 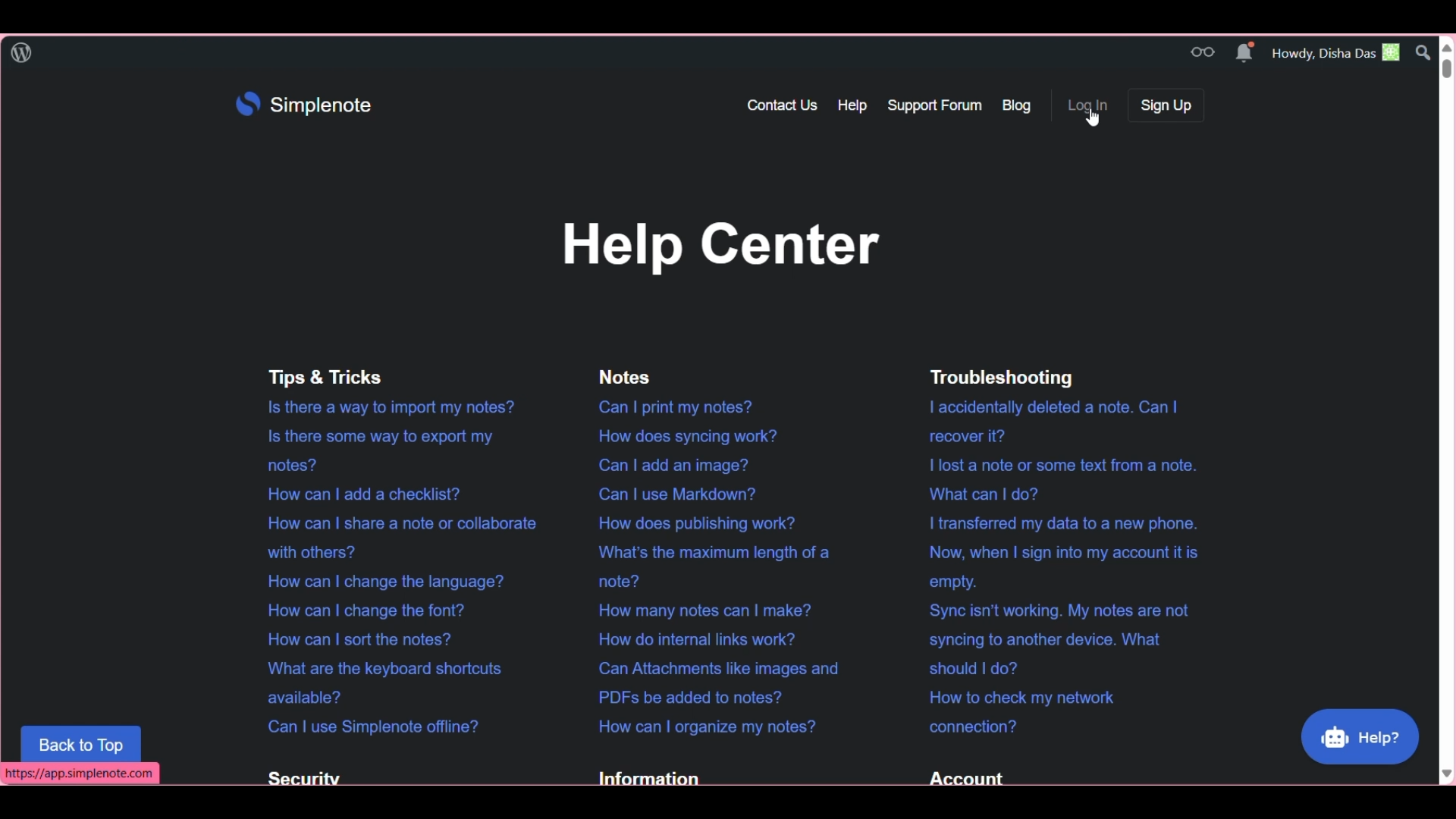 I want to click on What are the keyboard shortcuts available?, so click(x=374, y=682).